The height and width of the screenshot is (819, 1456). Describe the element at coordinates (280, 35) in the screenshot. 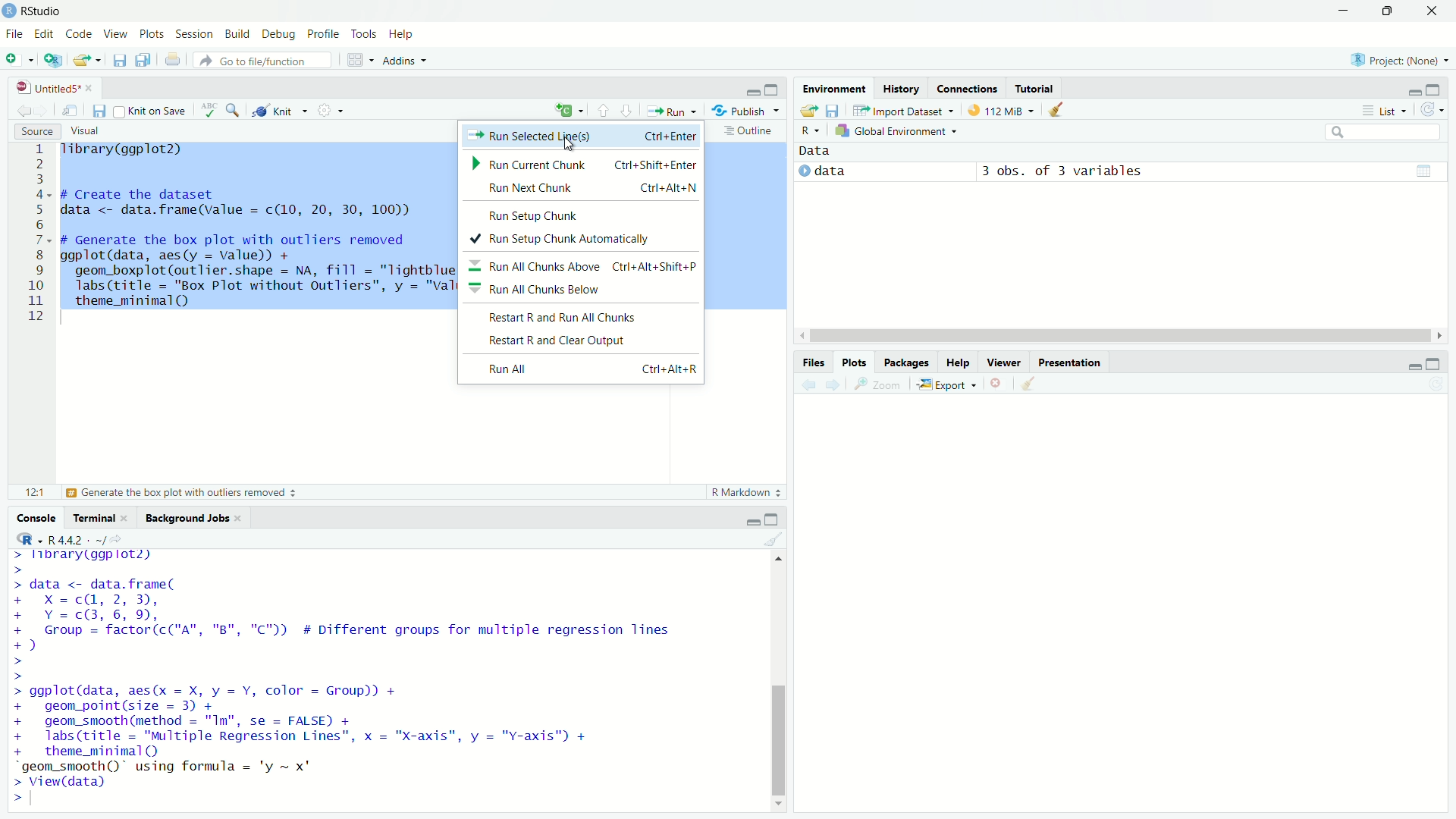

I see `I Debug` at that location.